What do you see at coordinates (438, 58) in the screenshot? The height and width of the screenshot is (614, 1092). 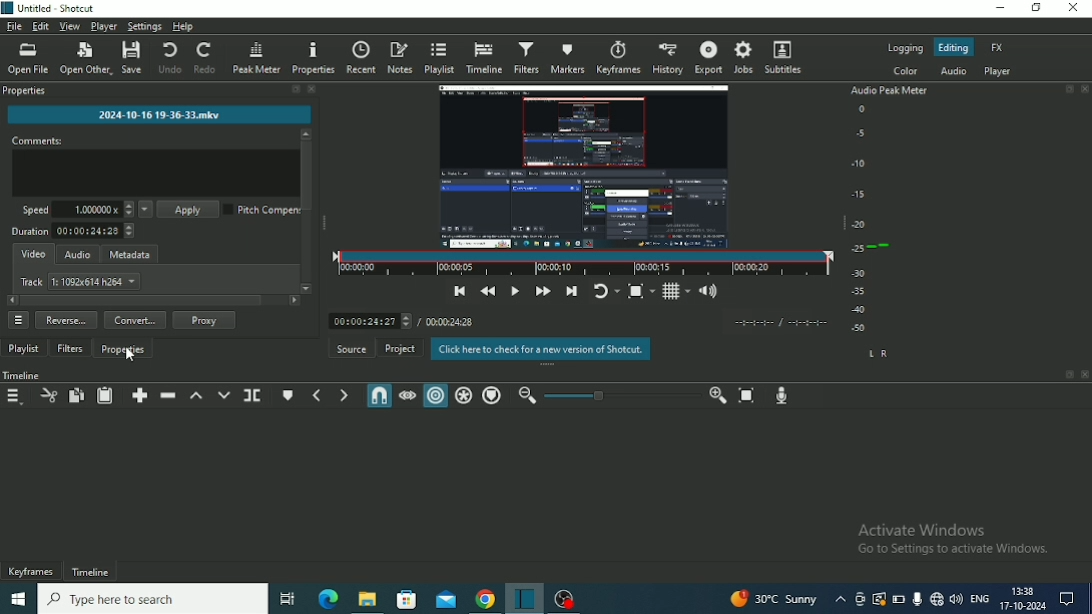 I see `Playlist` at bounding box center [438, 58].